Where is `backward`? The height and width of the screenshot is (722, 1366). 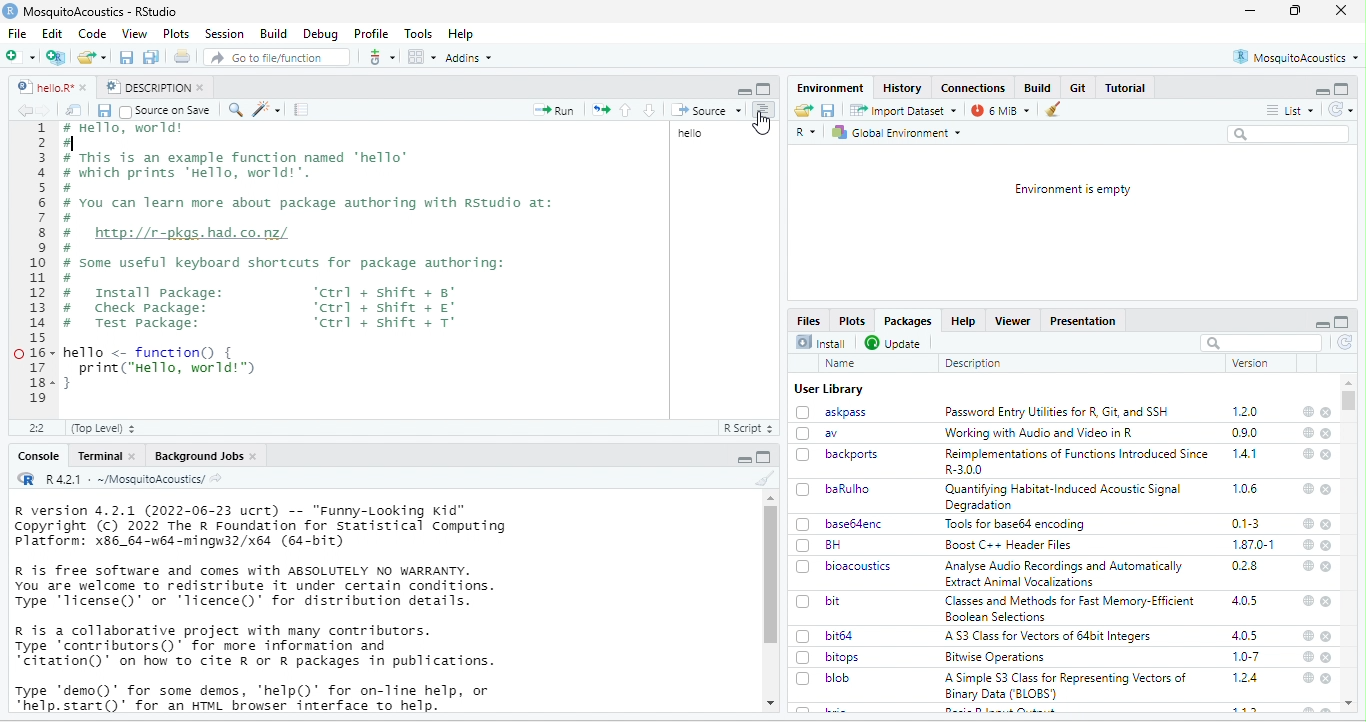 backward is located at coordinates (21, 110).